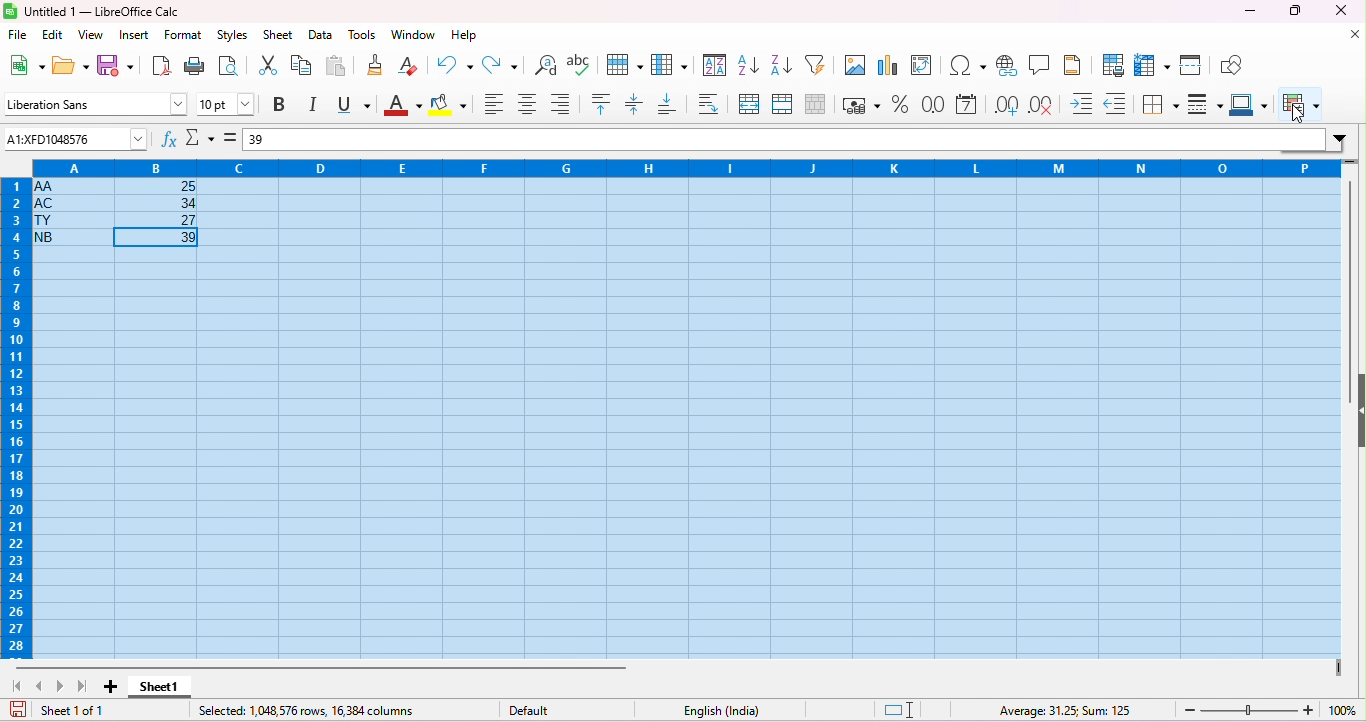 This screenshot has width=1366, height=722. What do you see at coordinates (194, 65) in the screenshot?
I see `print` at bounding box center [194, 65].